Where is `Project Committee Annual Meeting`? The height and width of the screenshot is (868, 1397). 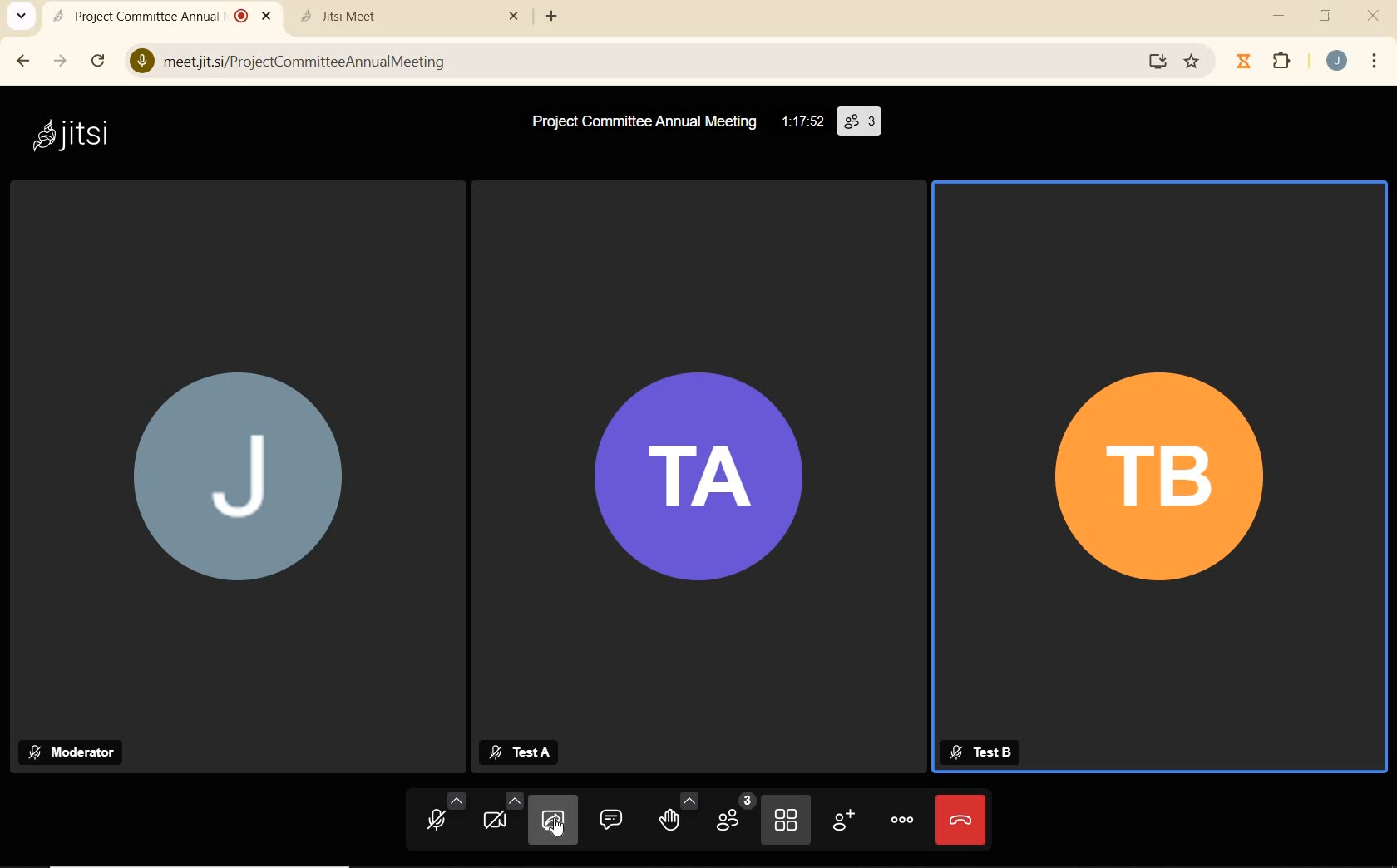 Project Committee Annual Meeting is located at coordinates (644, 121).